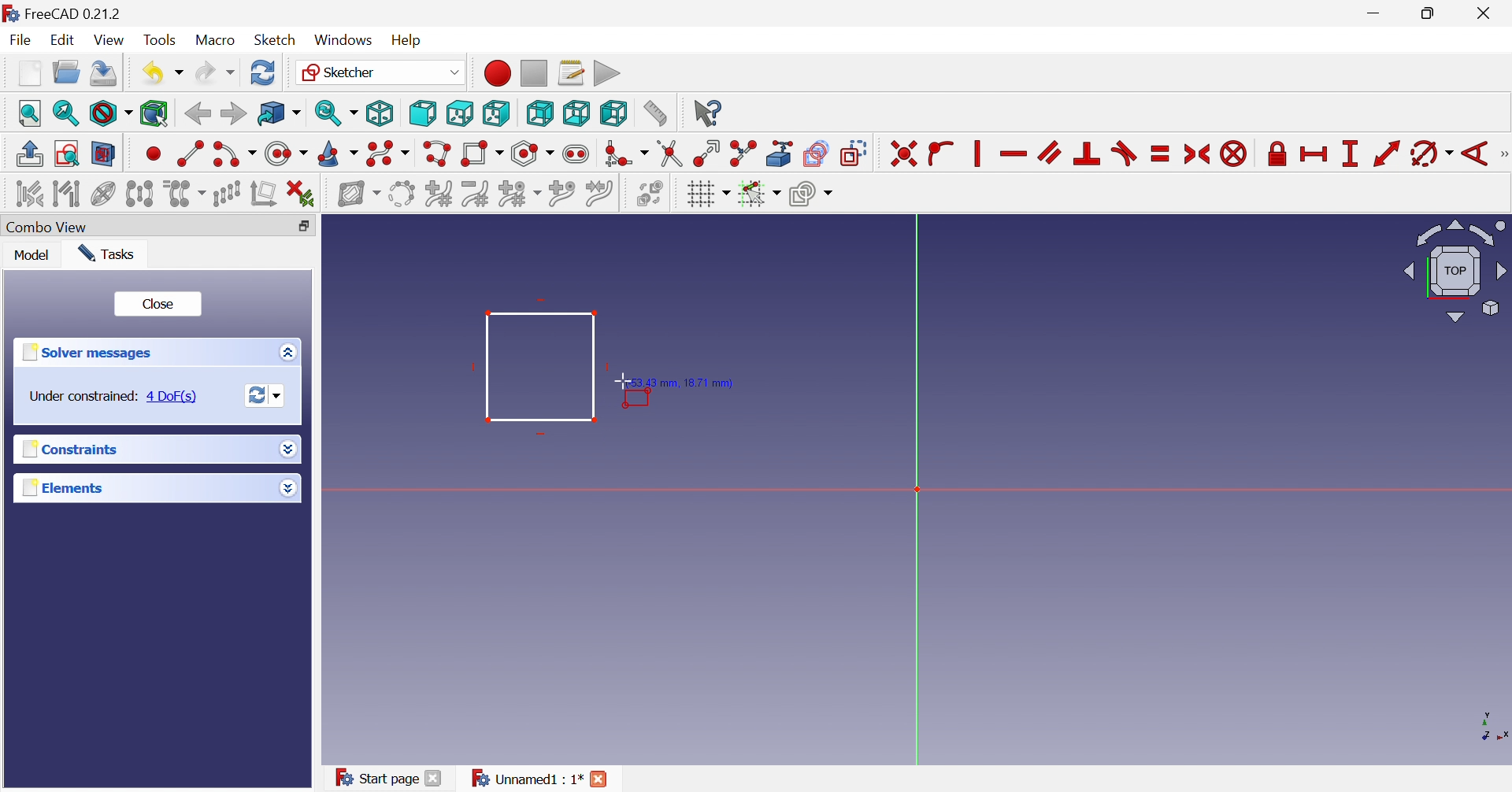 The height and width of the screenshot is (792, 1512). Describe the element at coordinates (607, 74) in the screenshot. I see `Execute macro` at that location.